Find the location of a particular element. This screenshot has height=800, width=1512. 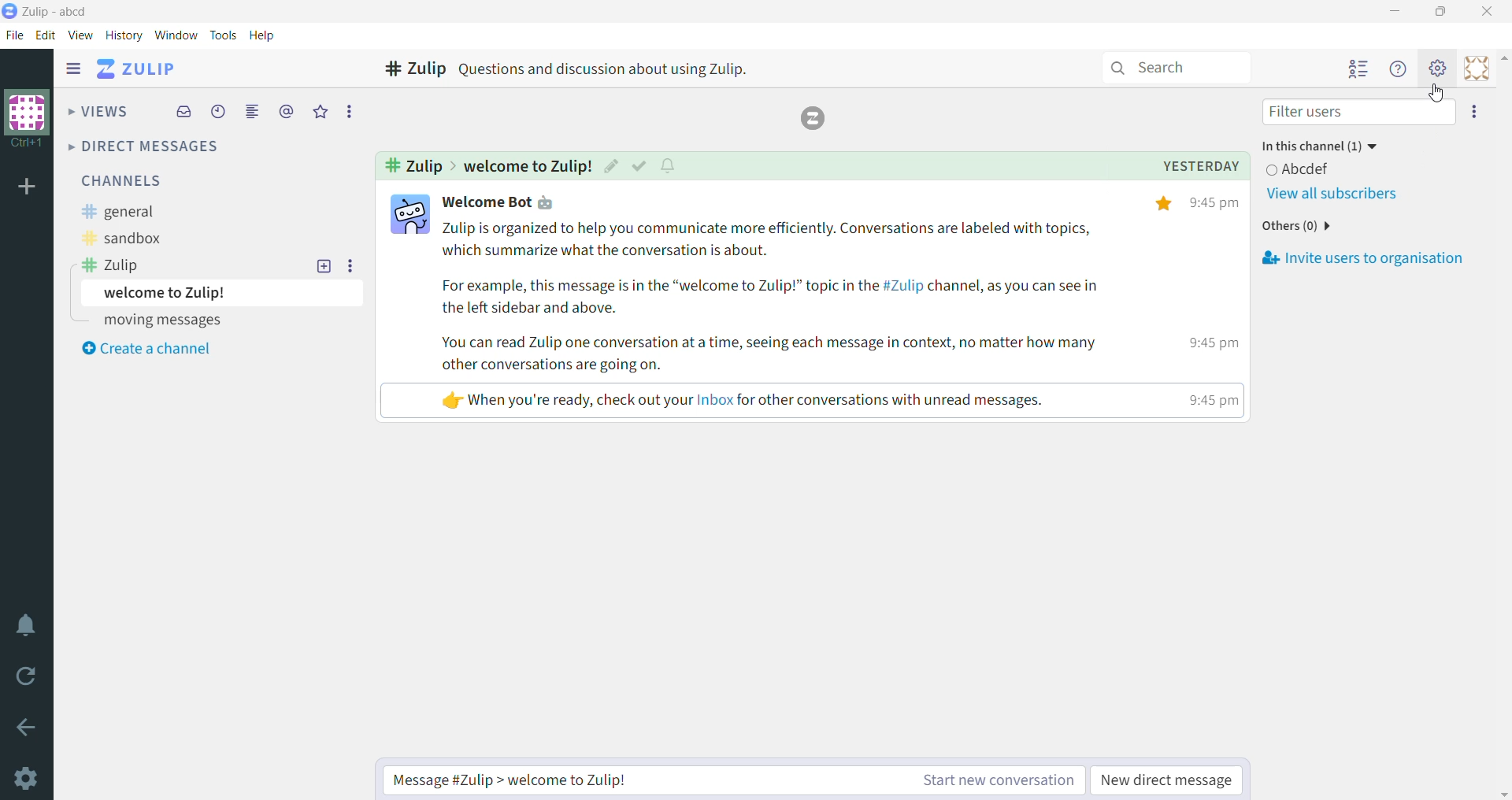

Cursor is located at coordinates (1439, 93).